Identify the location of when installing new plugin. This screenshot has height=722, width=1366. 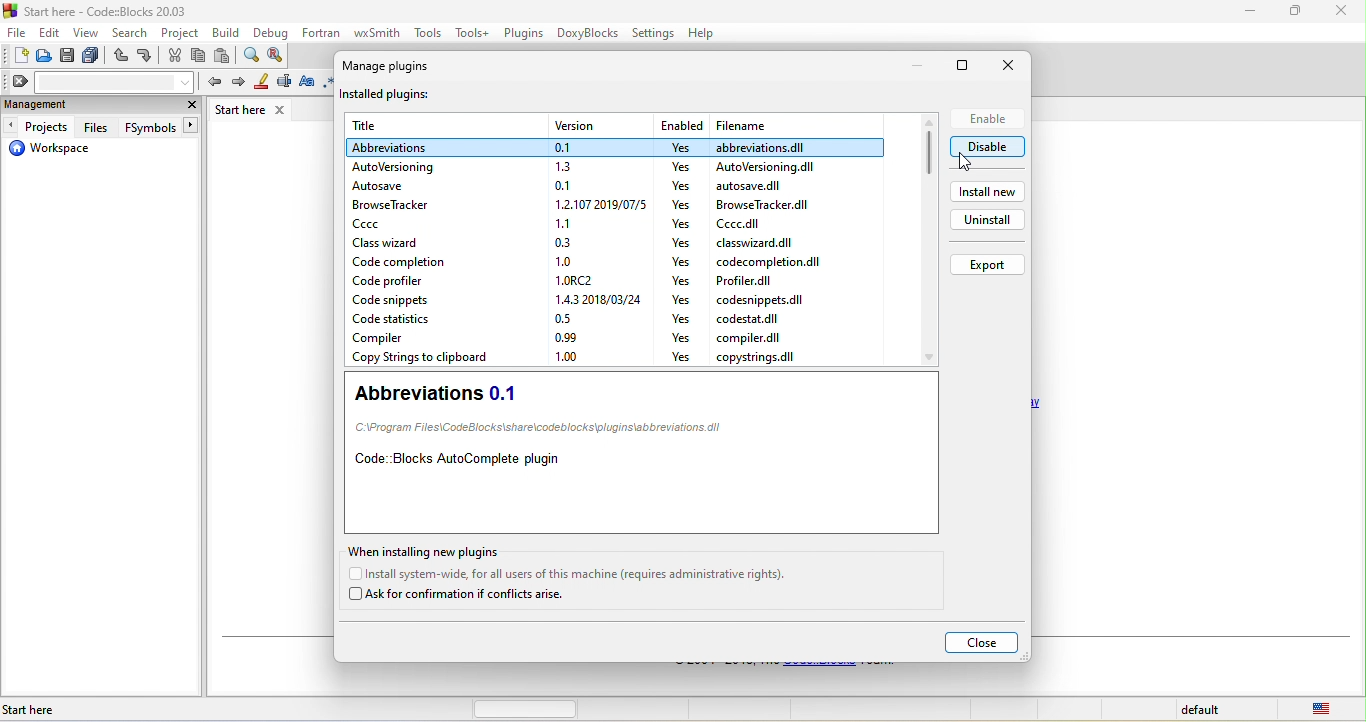
(426, 550).